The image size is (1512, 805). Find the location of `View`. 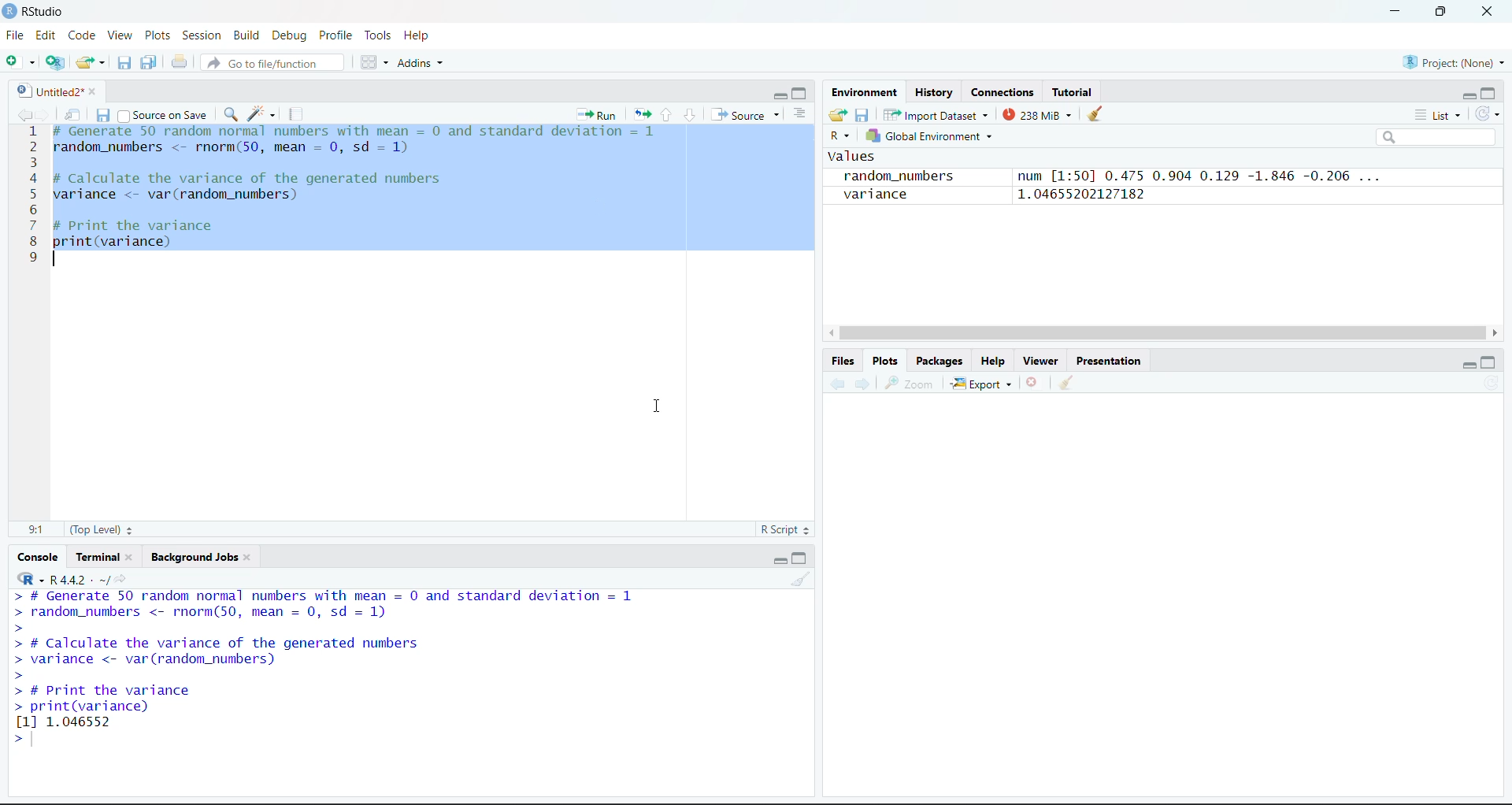

View is located at coordinates (121, 35).